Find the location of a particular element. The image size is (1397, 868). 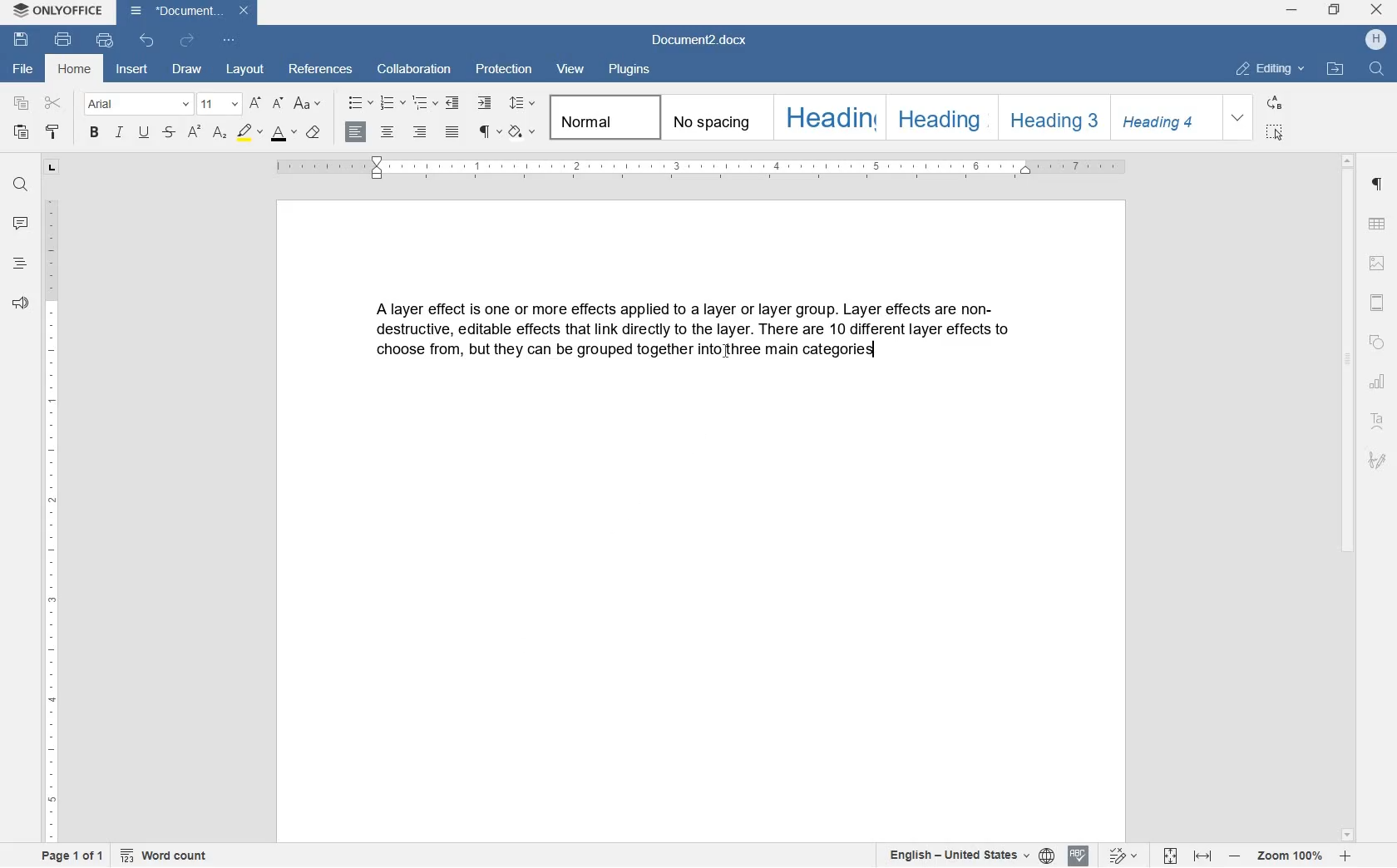

close is located at coordinates (1376, 9).